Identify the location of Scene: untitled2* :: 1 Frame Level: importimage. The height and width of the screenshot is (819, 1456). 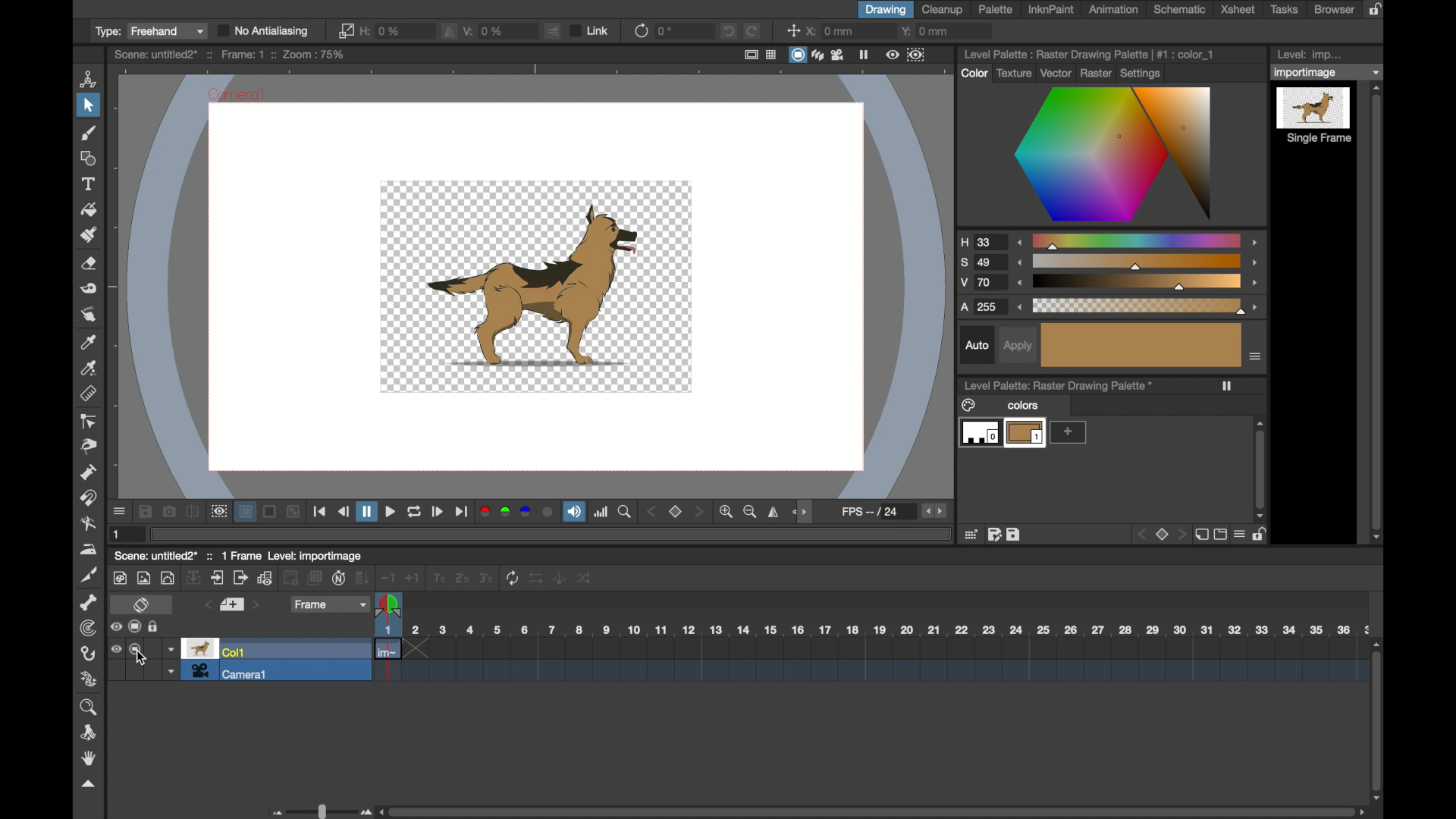
(238, 555).